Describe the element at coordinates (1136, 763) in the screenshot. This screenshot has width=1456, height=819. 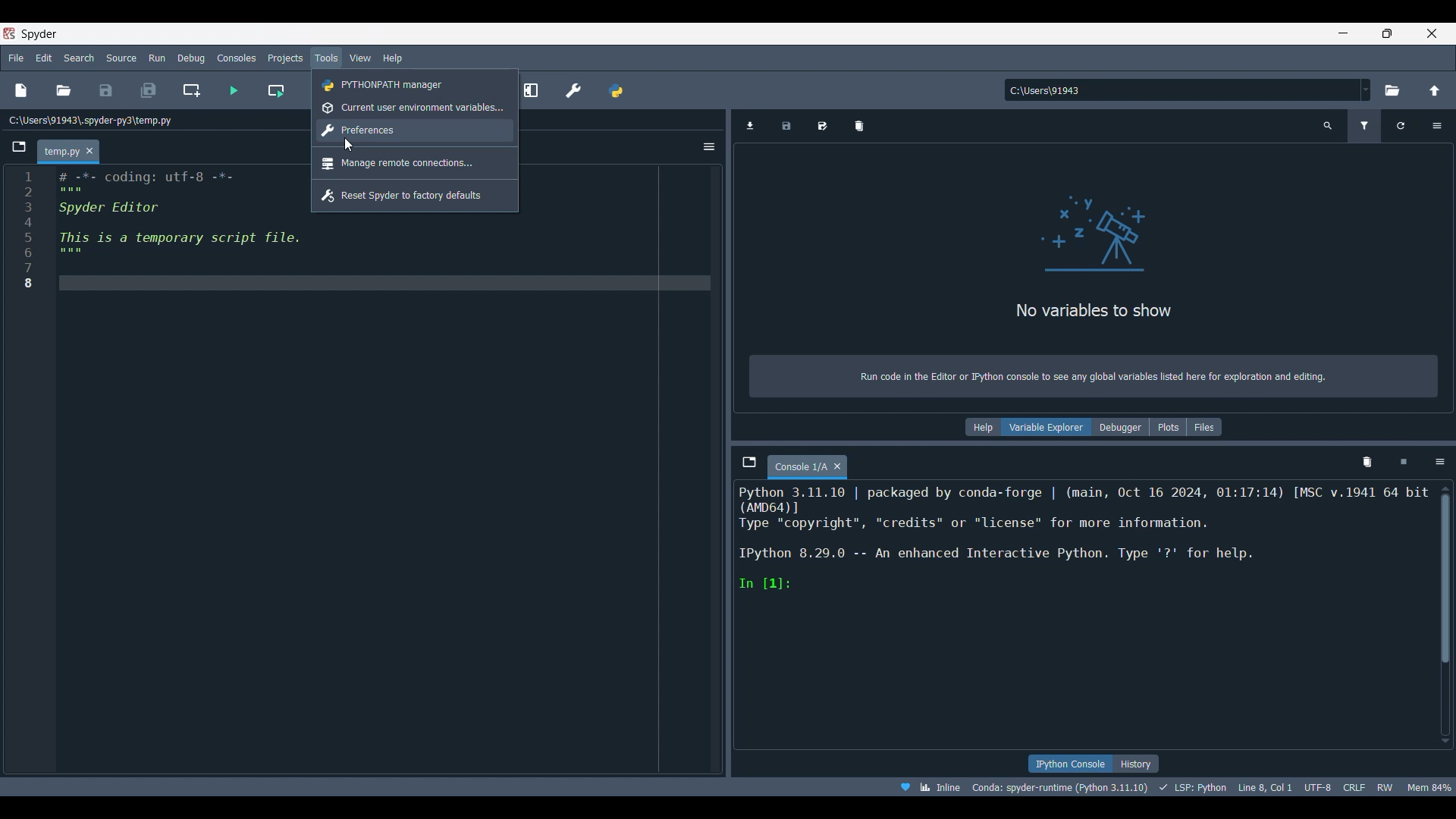
I see `History` at that location.